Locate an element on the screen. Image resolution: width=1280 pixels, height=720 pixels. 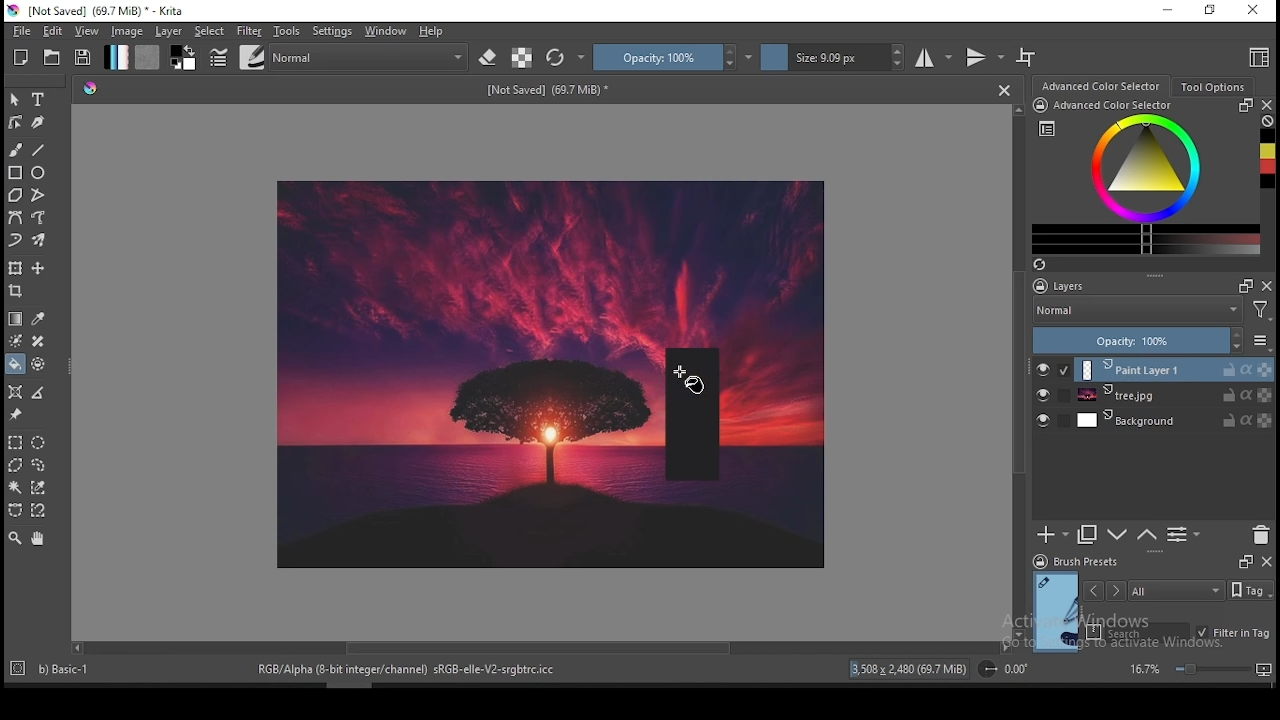
similar color selection tool is located at coordinates (39, 487).